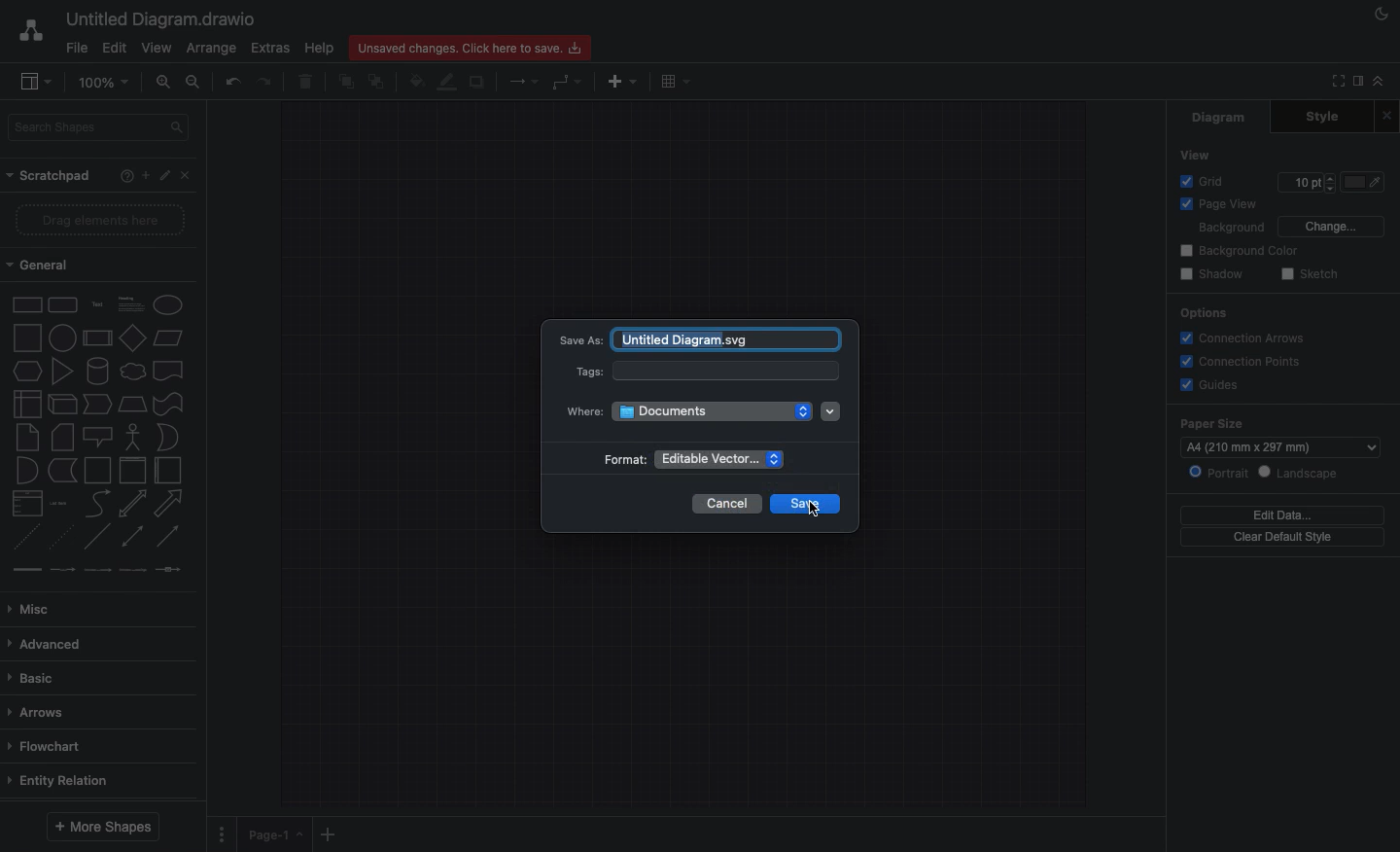  What do you see at coordinates (1221, 117) in the screenshot?
I see `Diagram` at bounding box center [1221, 117].